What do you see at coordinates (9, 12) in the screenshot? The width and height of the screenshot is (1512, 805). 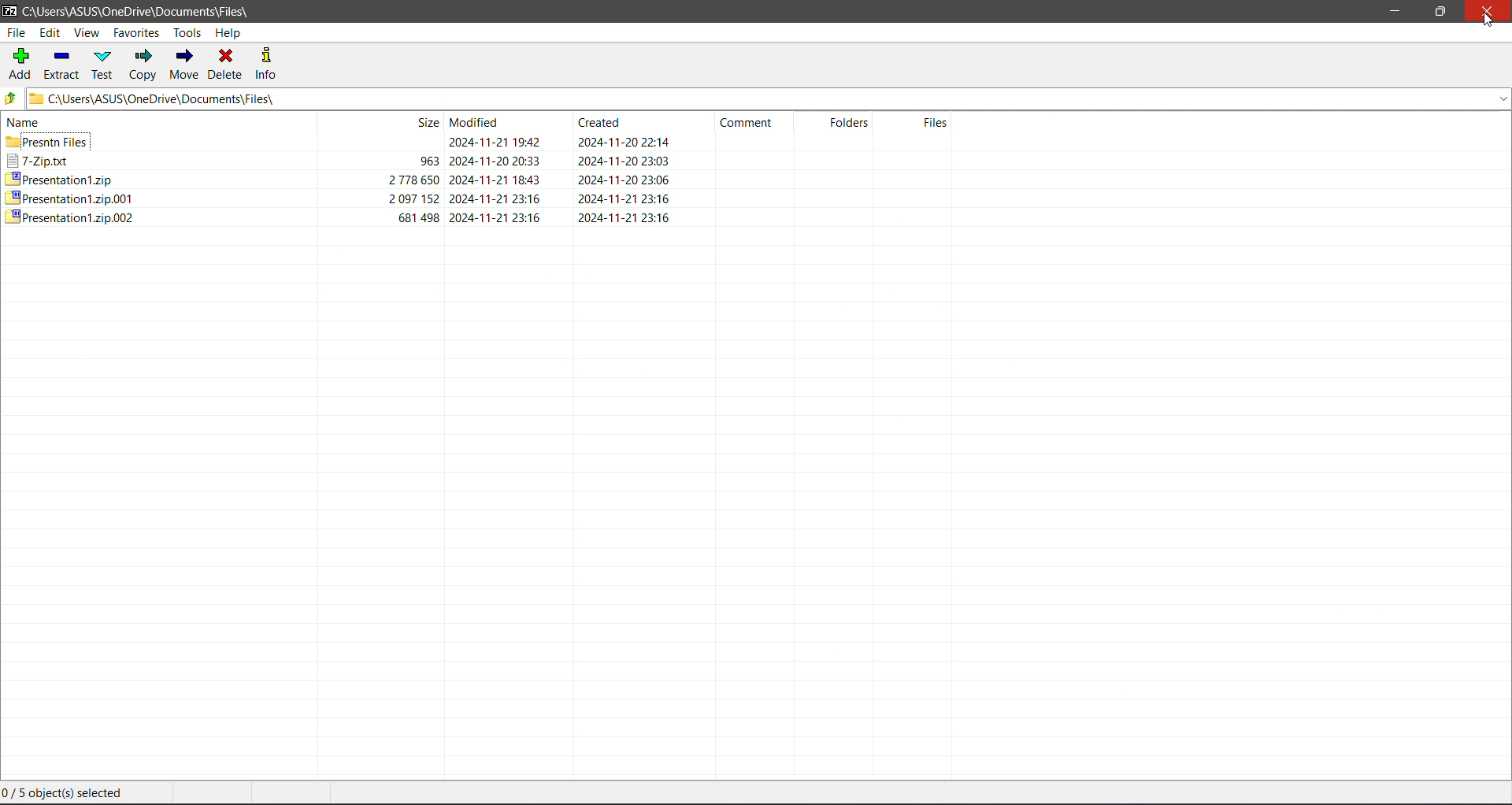 I see `Application Logo` at bounding box center [9, 12].